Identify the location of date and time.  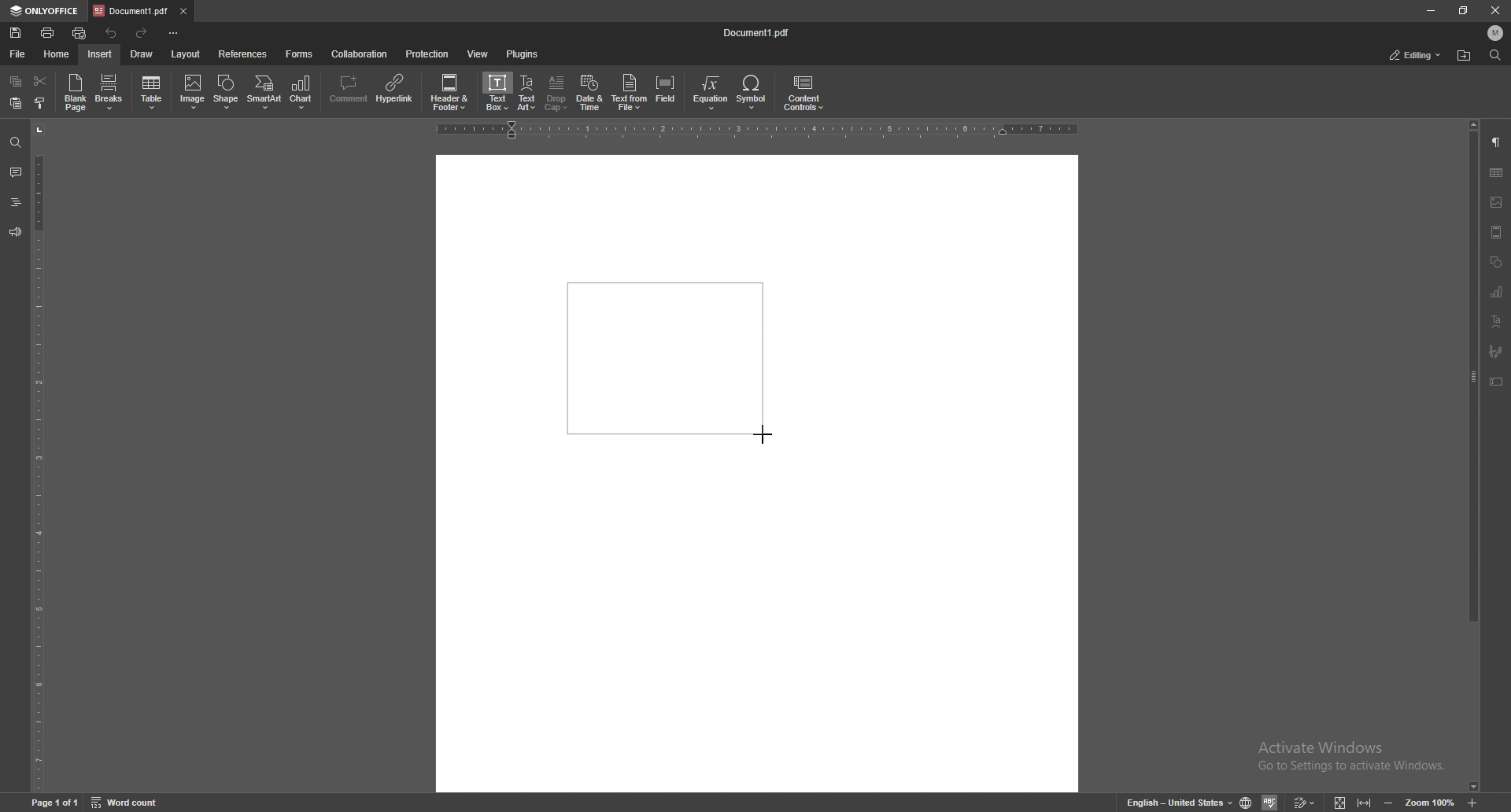
(589, 93).